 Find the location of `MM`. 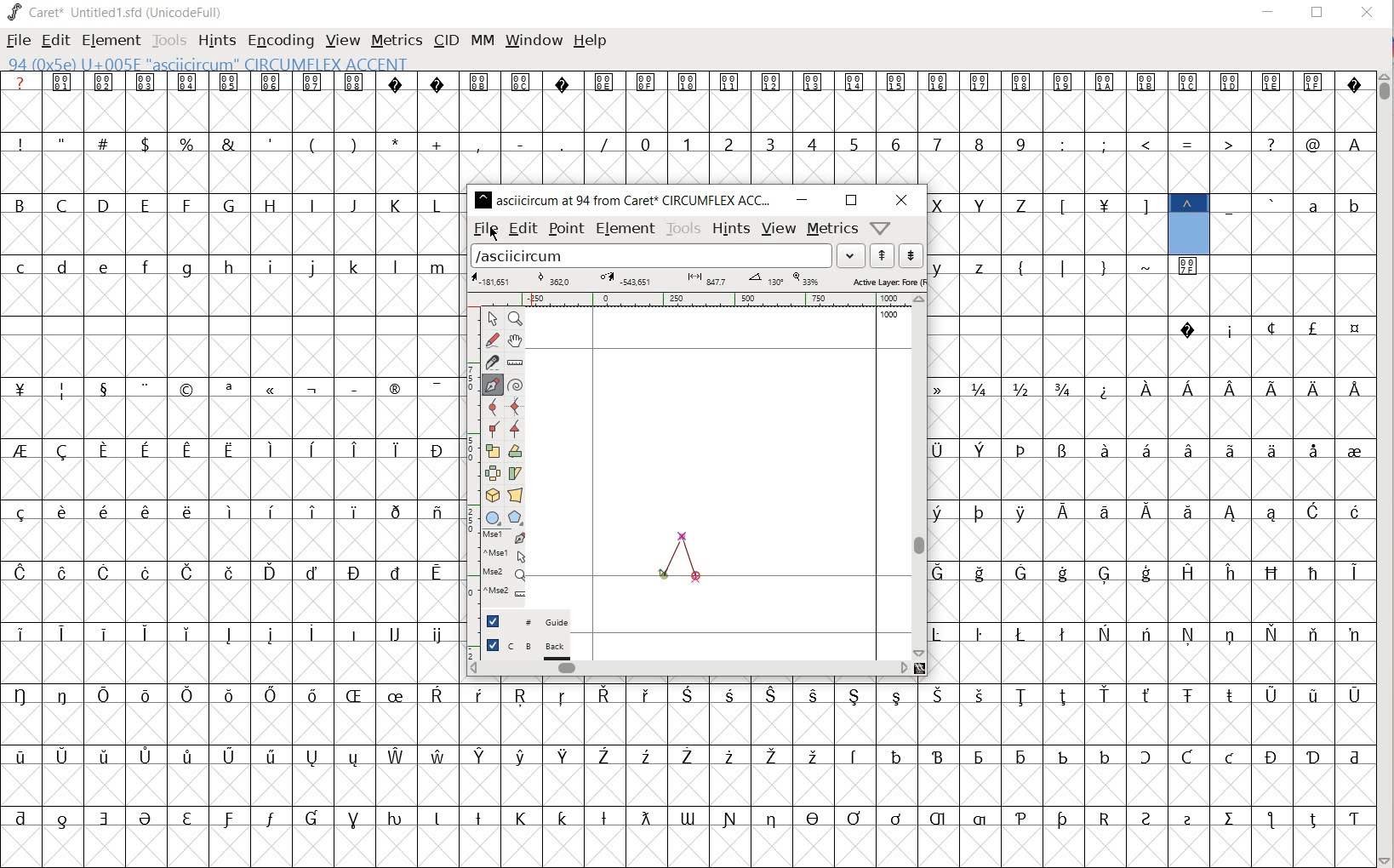

MM is located at coordinates (479, 40).